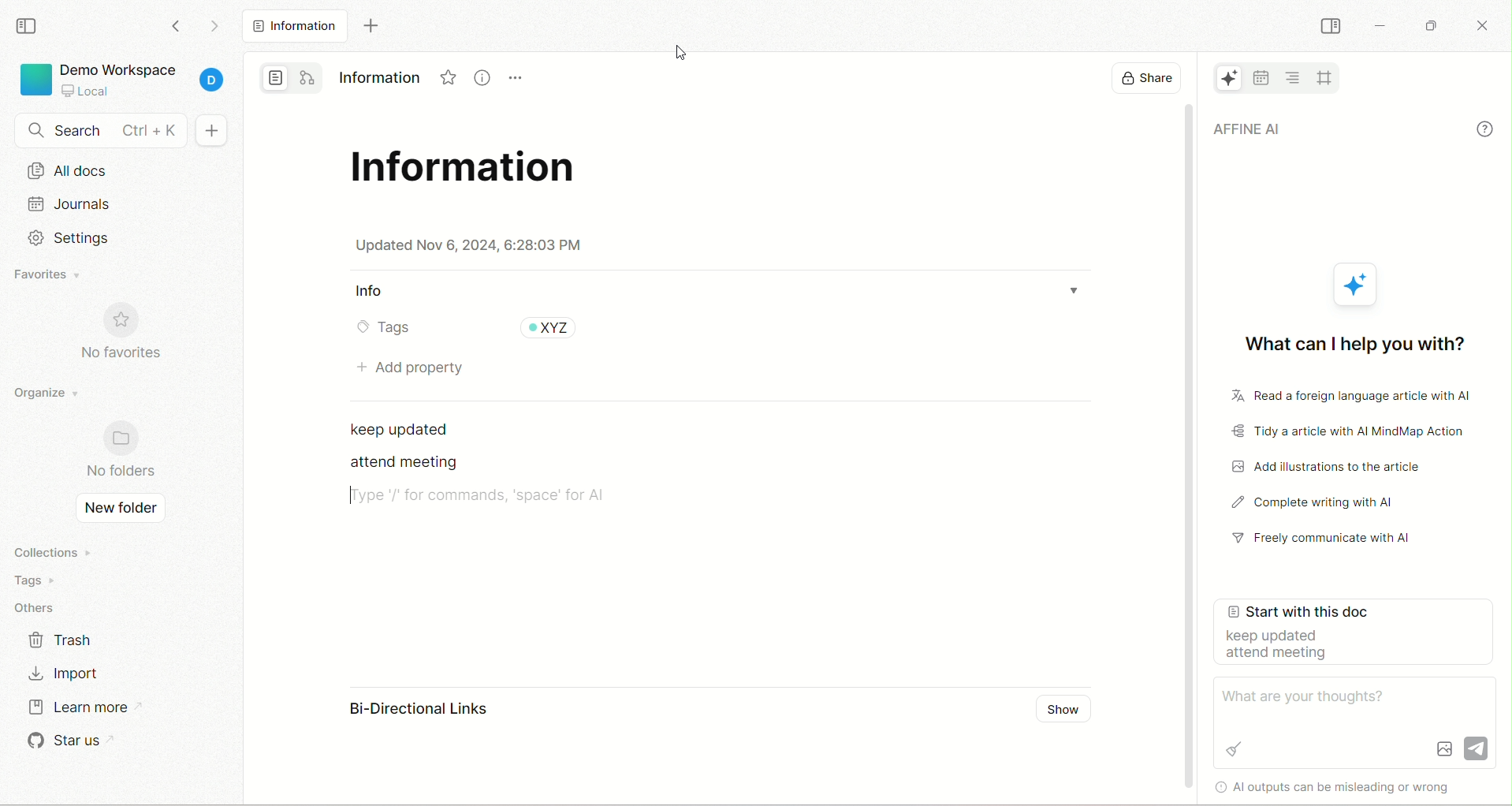 The height and width of the screenshot is (806, 1512). I want to click on Send icon, so click(1477, 745).